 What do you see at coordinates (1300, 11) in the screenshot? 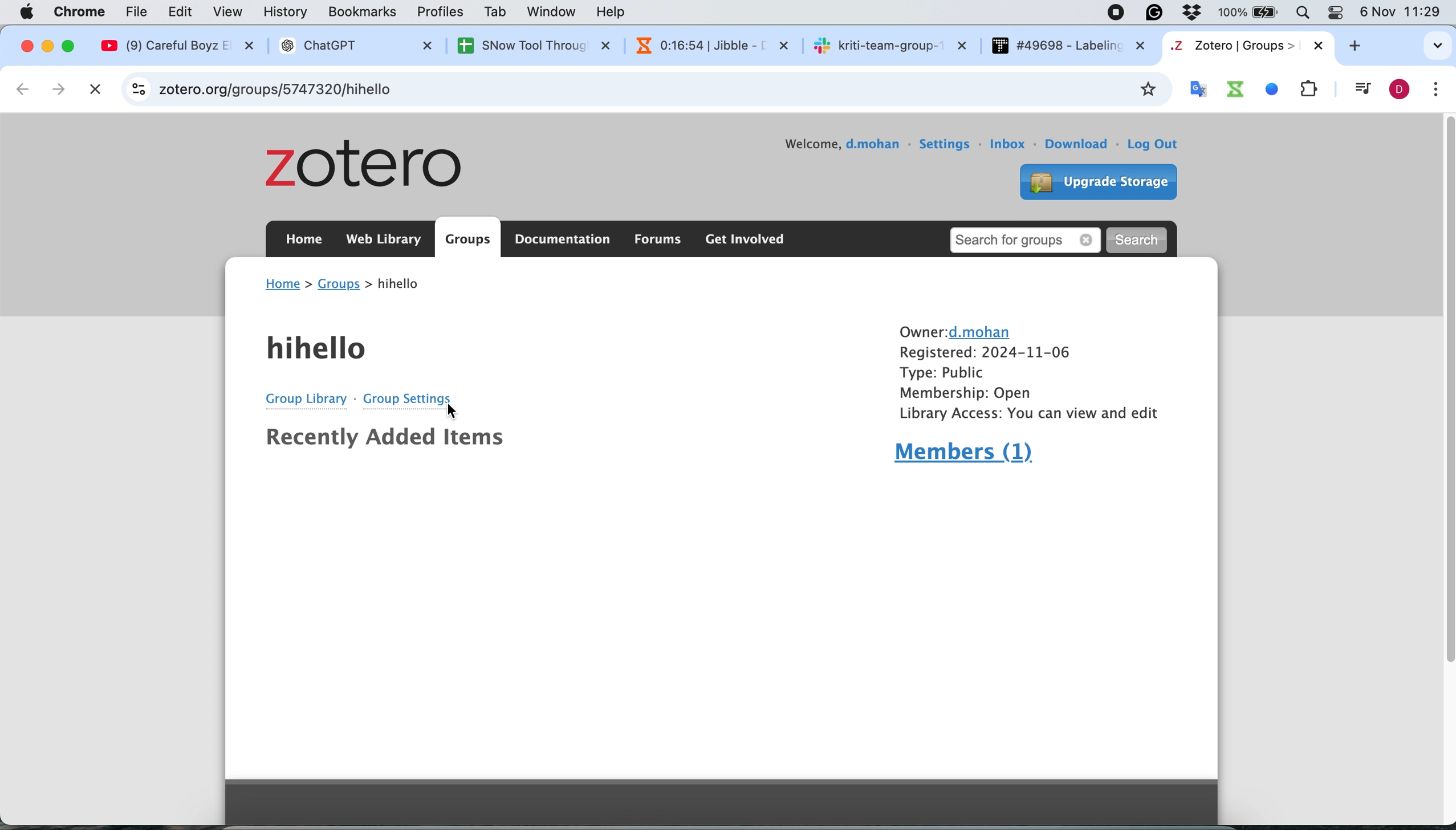
I see `Search Bar` at bounding box center [1300, 11].